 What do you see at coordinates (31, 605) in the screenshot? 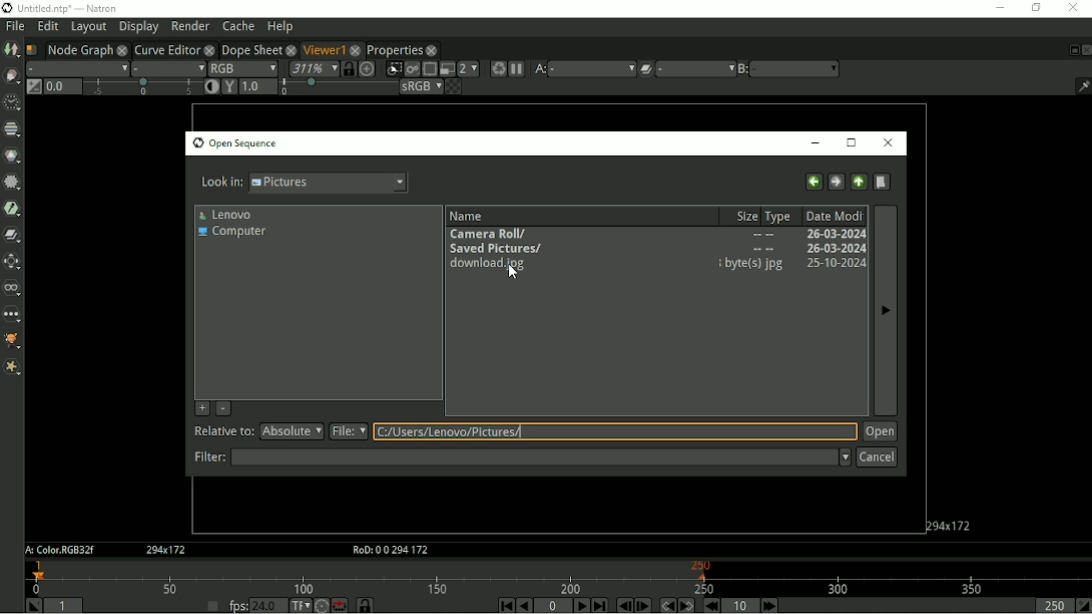
I see `Set playback in point at the current frame` at bounding box center [31, 605].